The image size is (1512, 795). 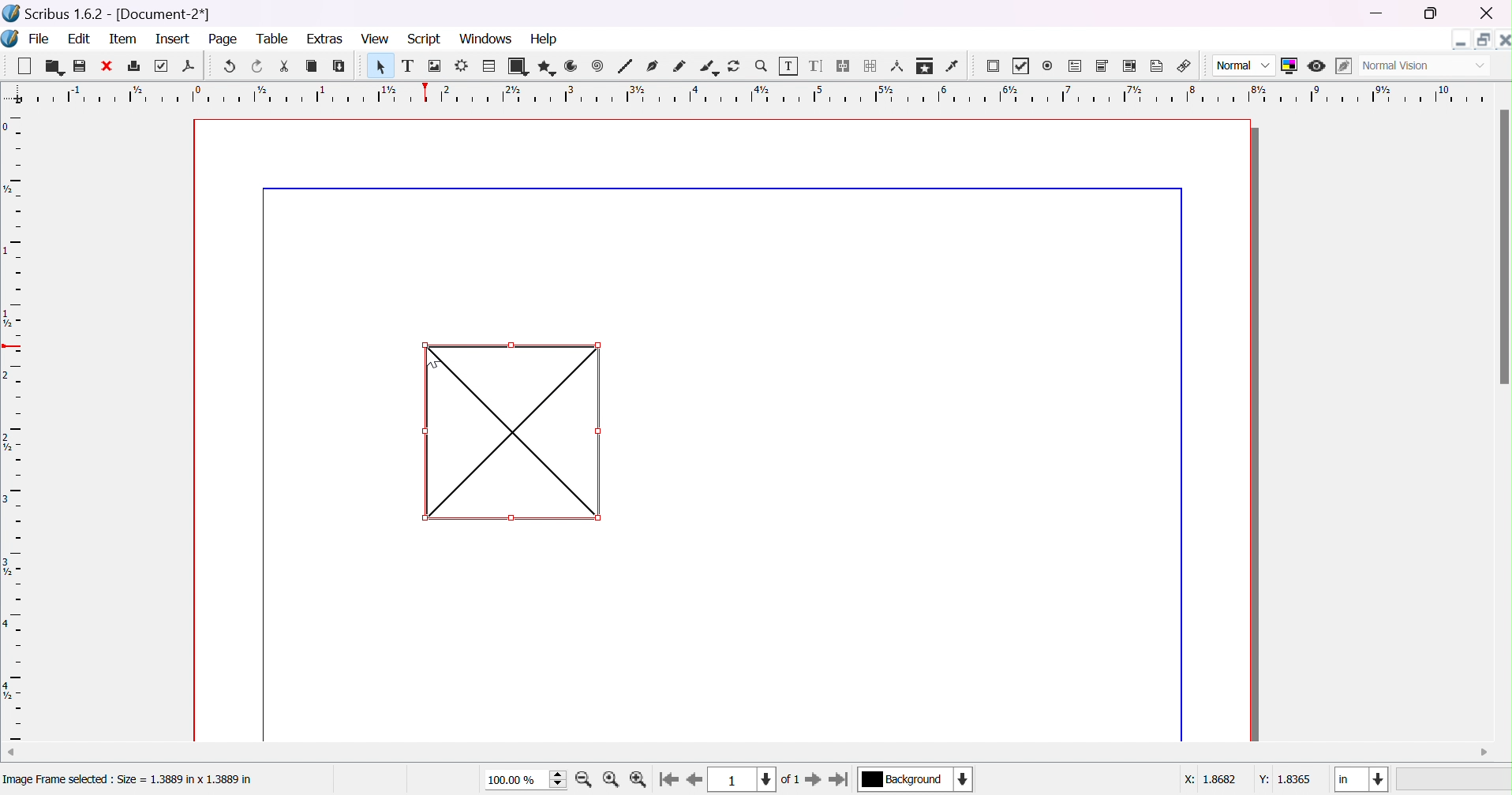 I want to click on zoom in/out, so click(x=762, y=65).